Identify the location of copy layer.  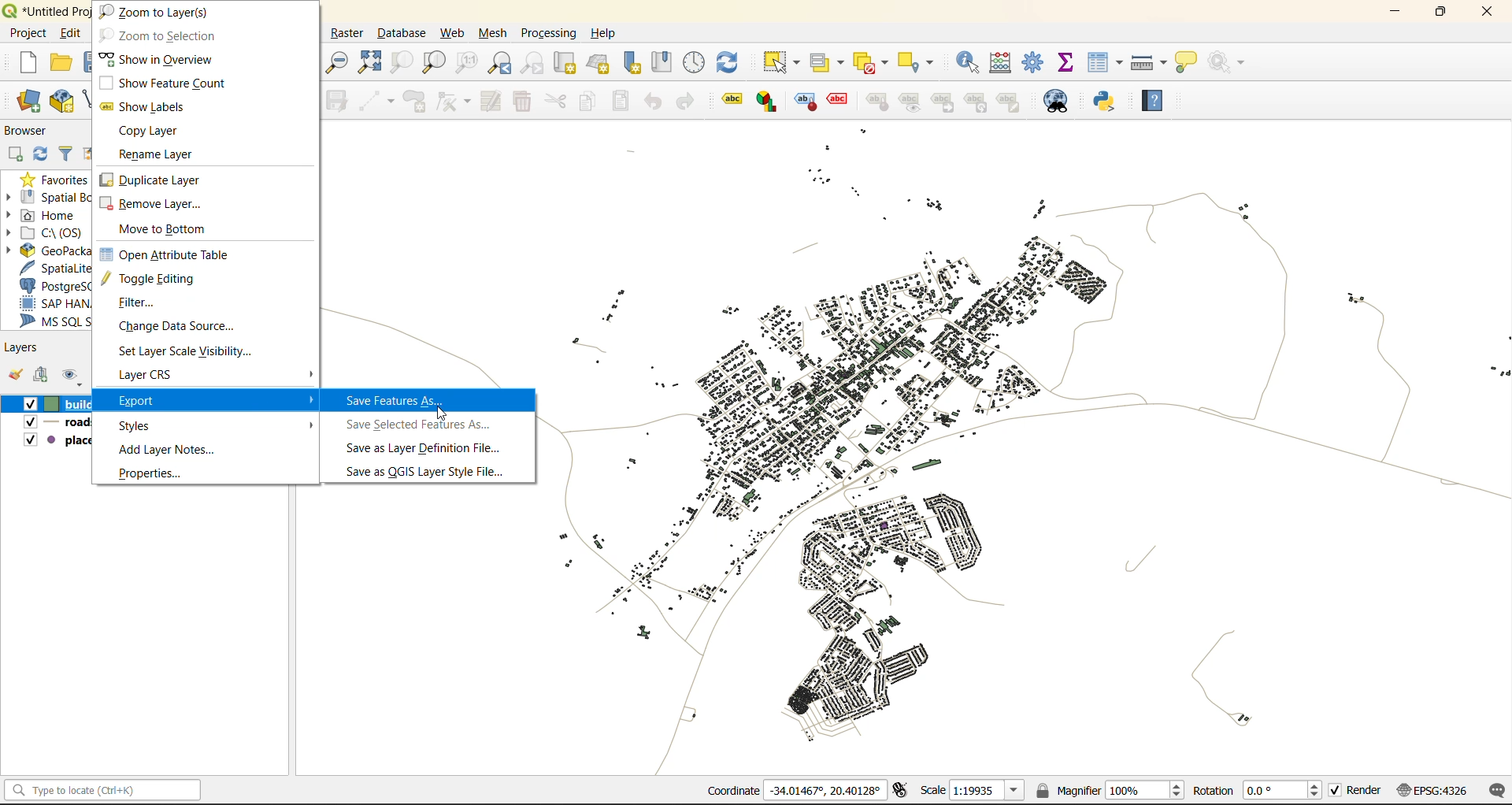
(162, 133).